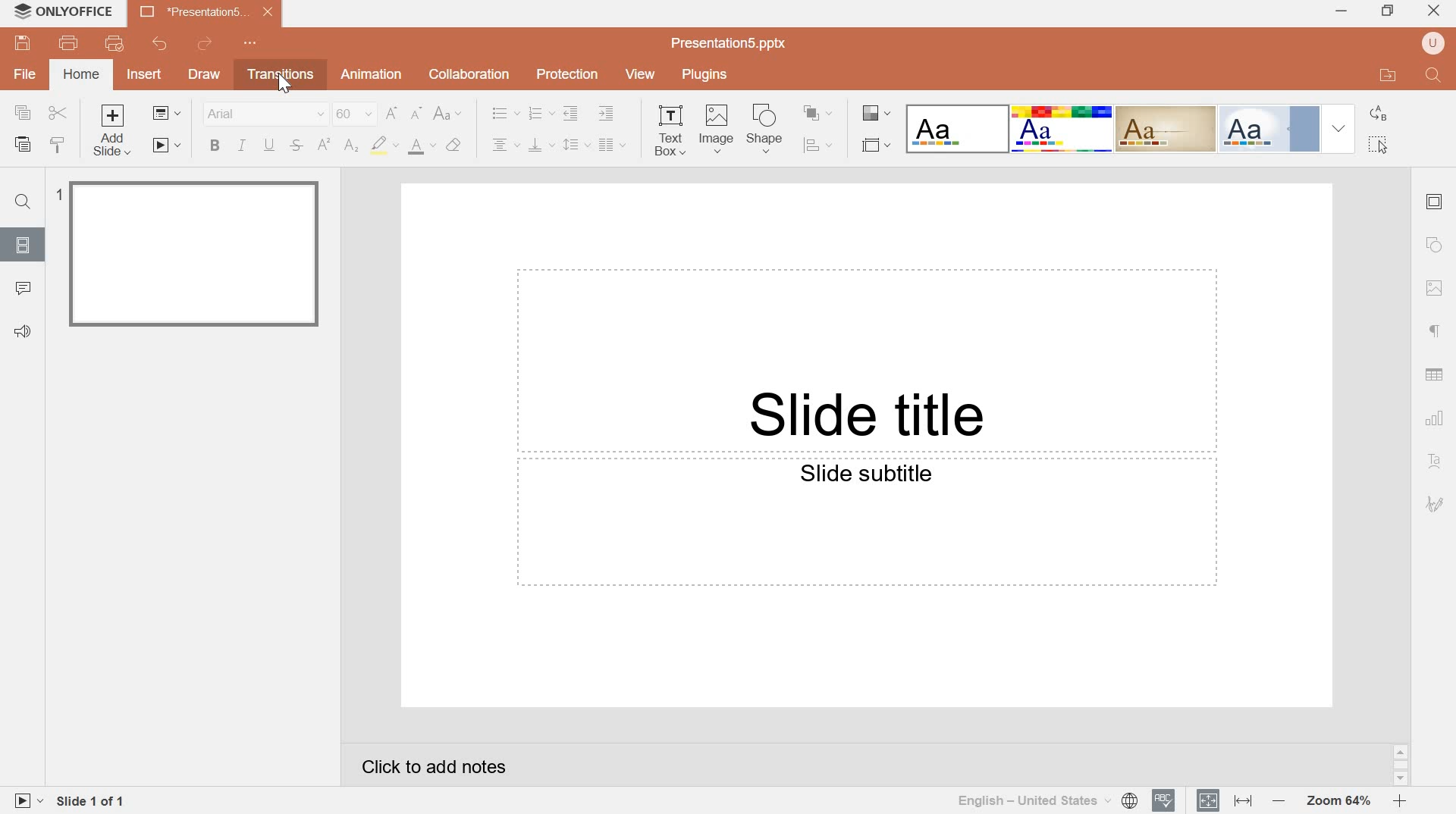 The width and height of the screenshot is (1456, 814). Describe the element at coordinates (24, 289) in the screenshot. I see `comments` at that location.